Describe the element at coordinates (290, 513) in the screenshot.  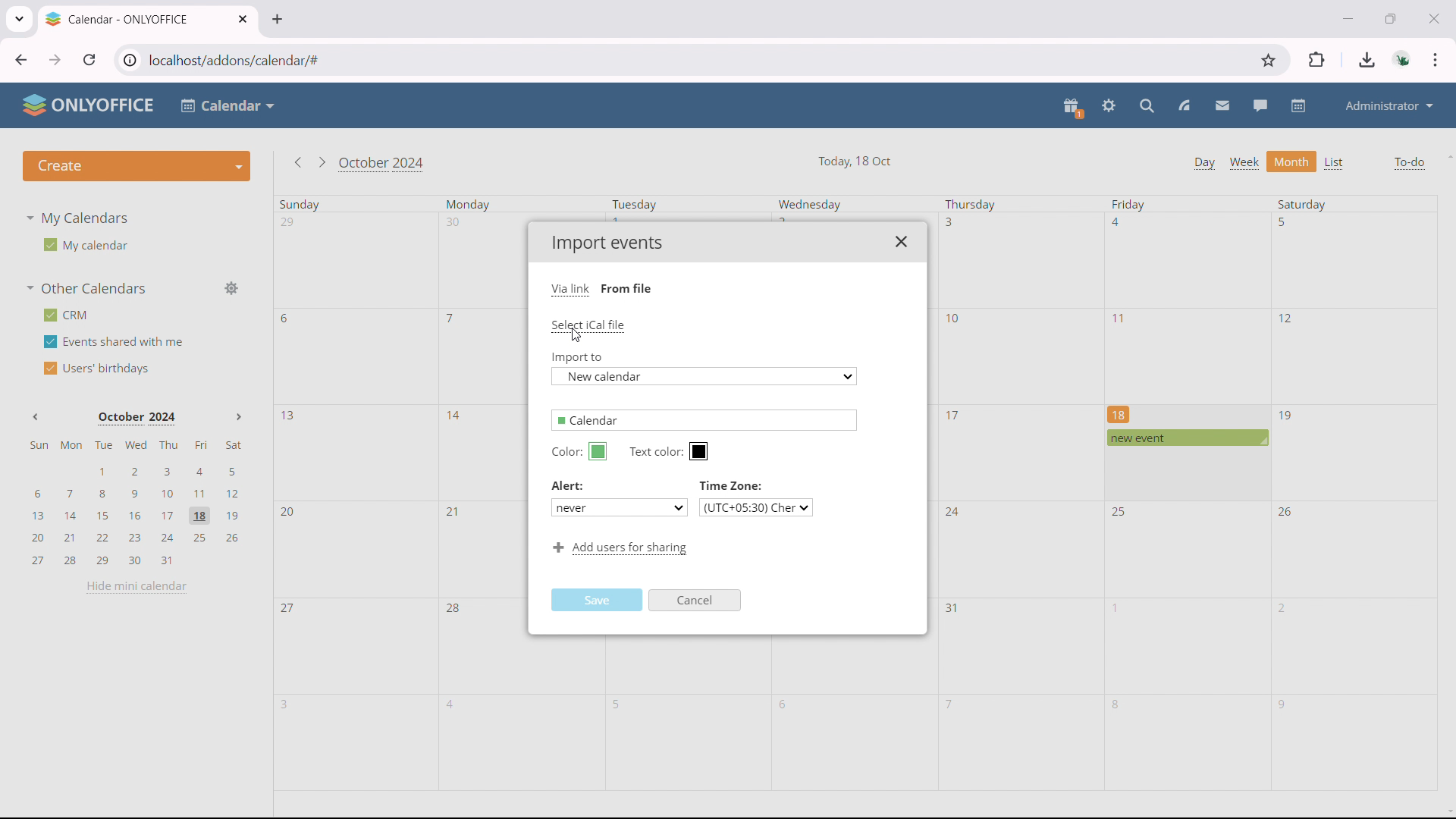
I see `20` at that location.